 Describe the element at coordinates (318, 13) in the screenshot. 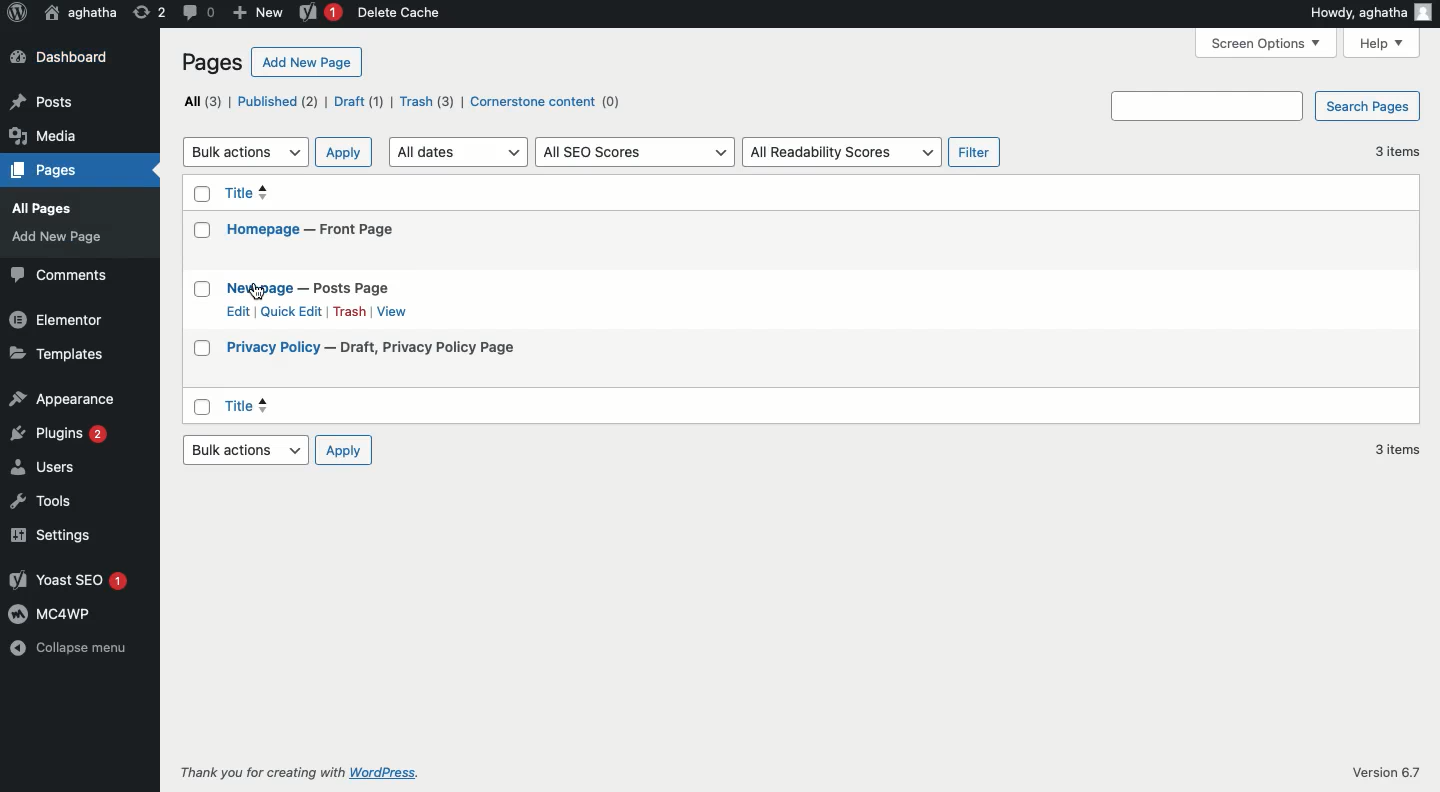

I see `Yoast` at that location.